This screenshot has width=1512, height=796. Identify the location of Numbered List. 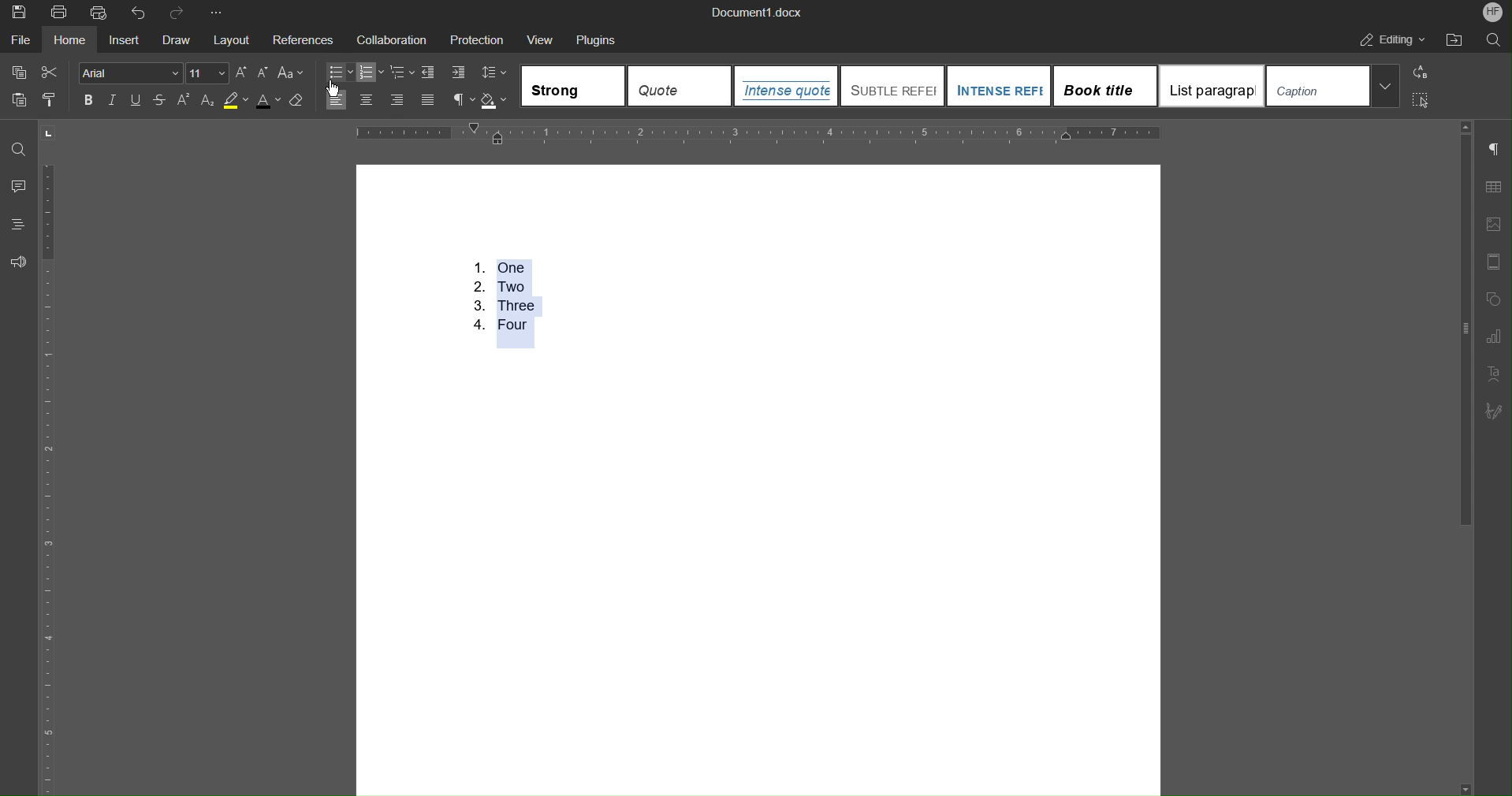
(372, 72).